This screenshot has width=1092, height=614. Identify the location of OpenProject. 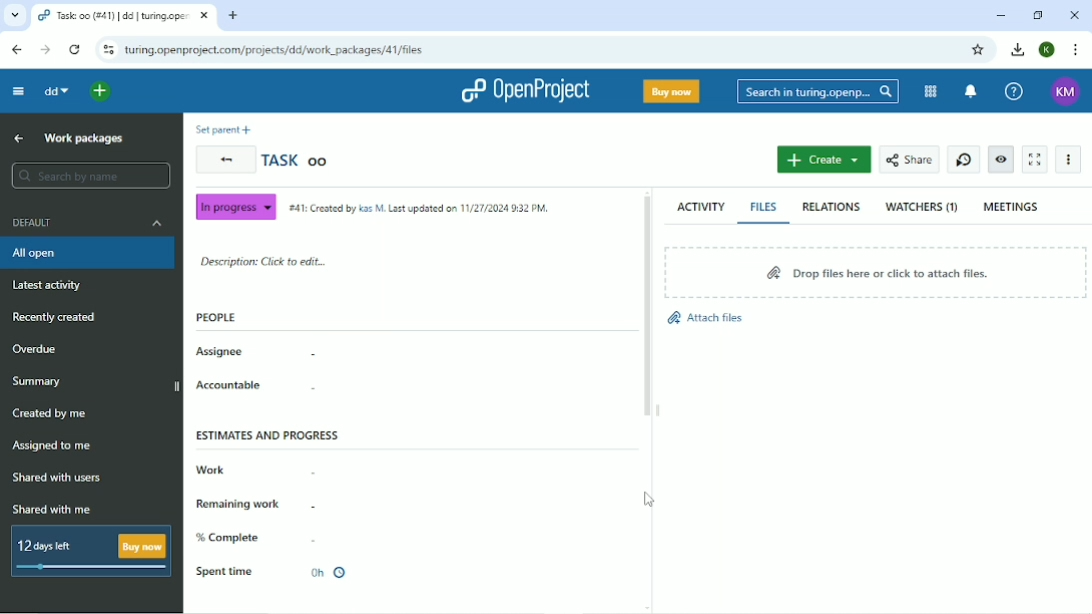
(524, 89).